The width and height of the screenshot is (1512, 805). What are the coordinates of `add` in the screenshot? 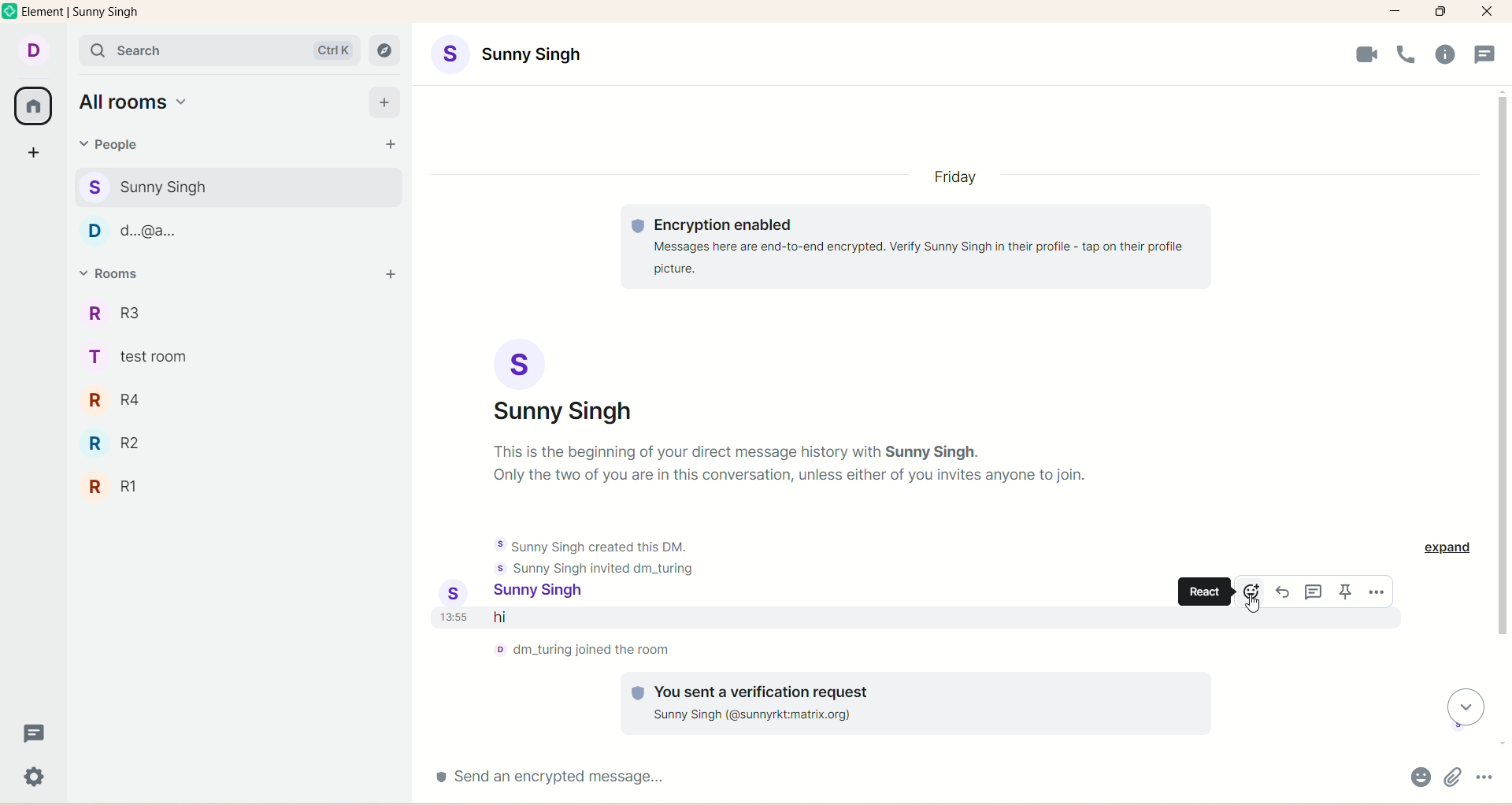 It's located at (384, 103).